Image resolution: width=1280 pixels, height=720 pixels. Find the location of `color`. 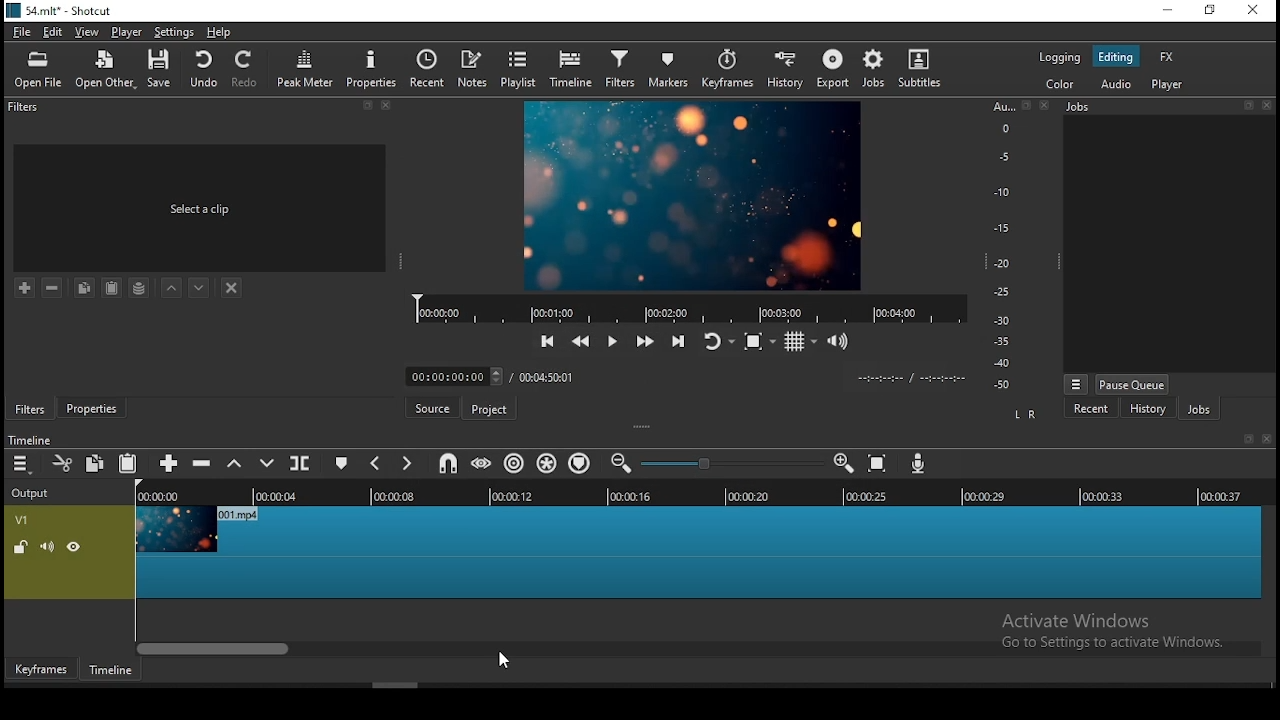

color is located at coordinates (1059, 83).